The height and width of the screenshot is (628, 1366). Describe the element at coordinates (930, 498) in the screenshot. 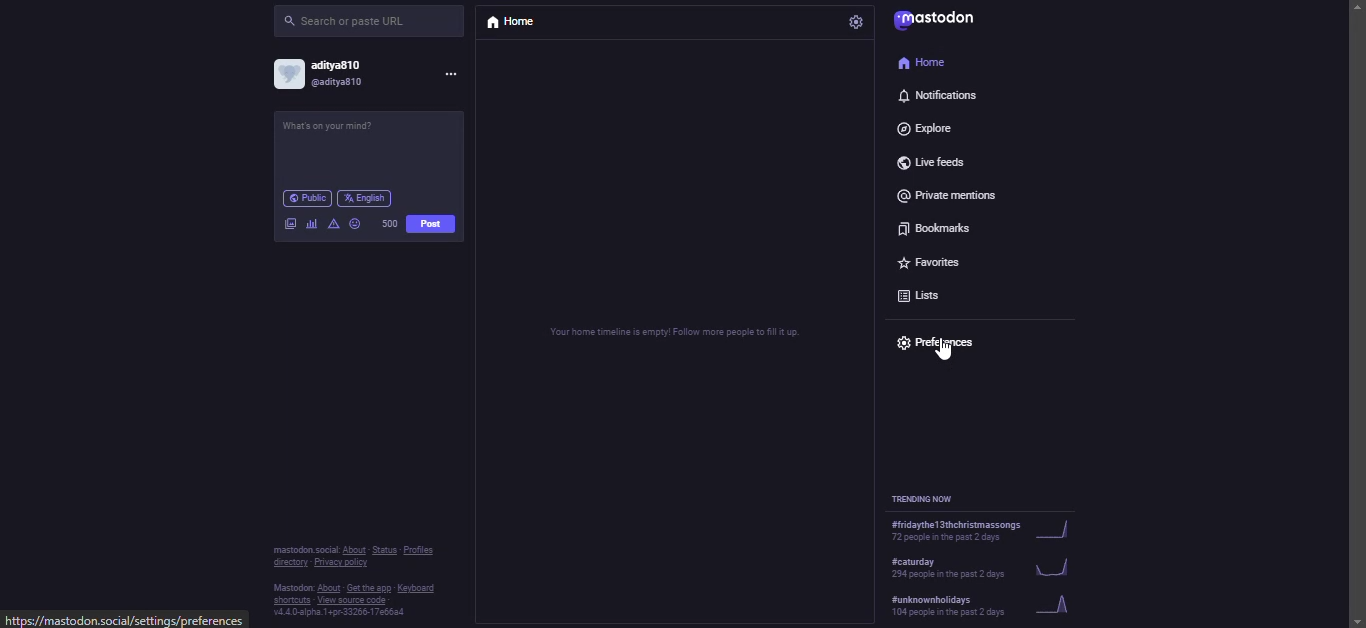

I see `trending` at that location.